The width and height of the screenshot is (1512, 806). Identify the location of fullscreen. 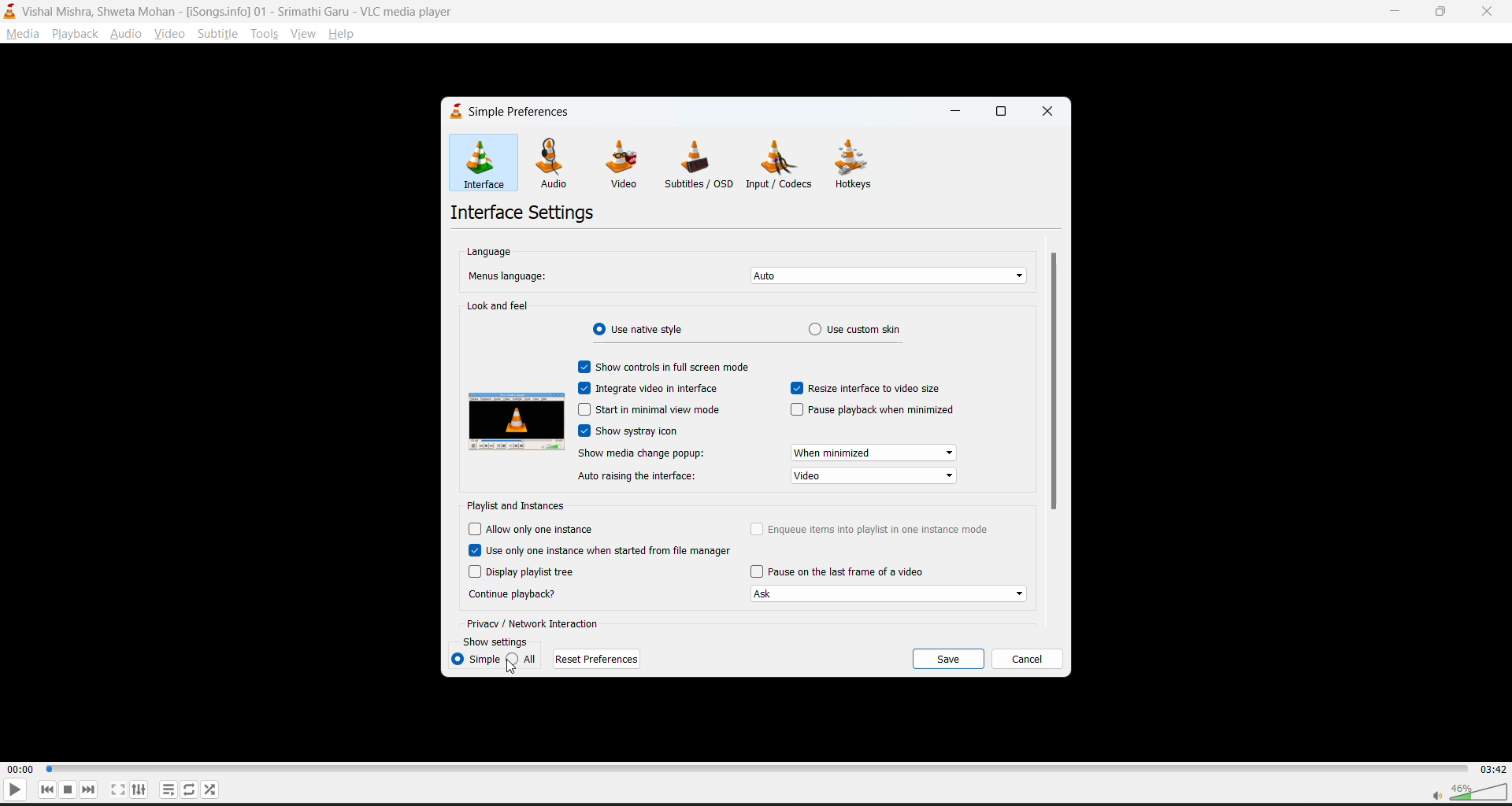
(116, 789).